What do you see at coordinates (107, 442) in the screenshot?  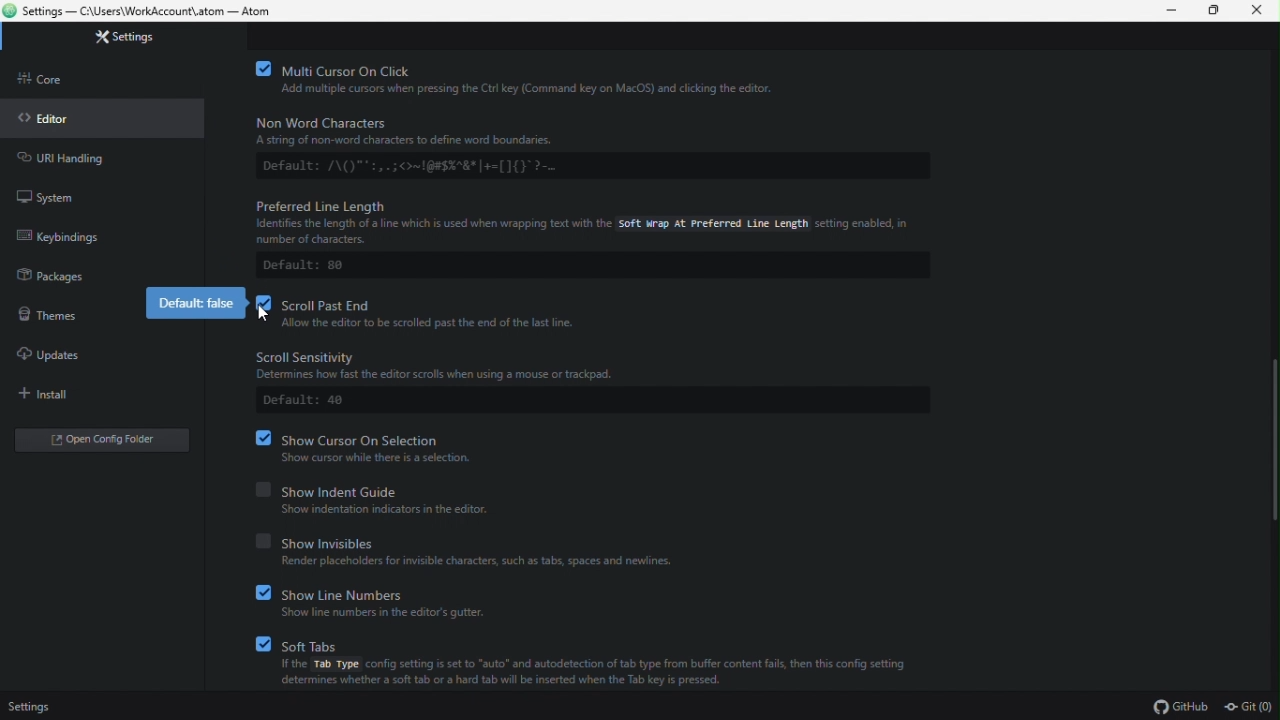 I see `open config folder` at bounding box center [107, 442].